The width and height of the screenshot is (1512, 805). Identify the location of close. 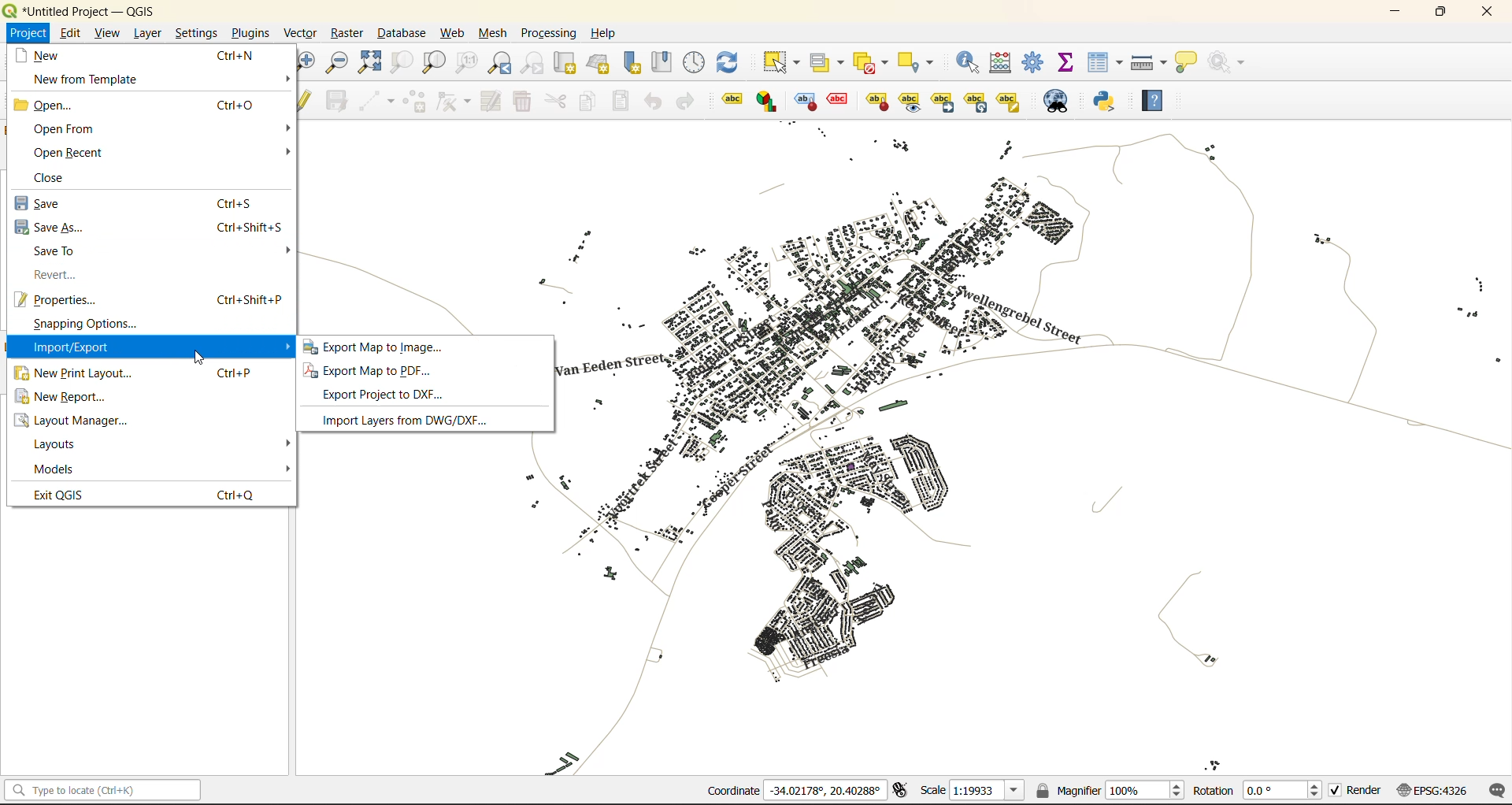
(57, 176).